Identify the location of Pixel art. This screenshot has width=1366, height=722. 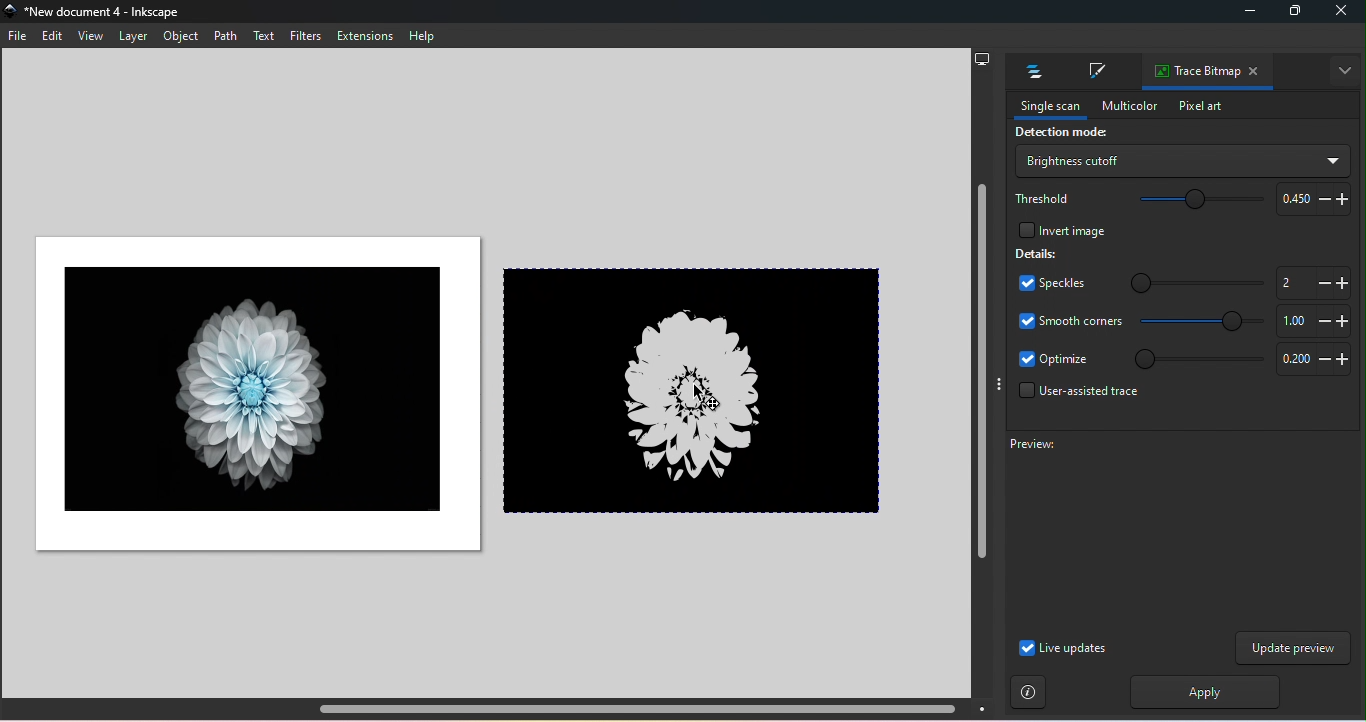
(1200, 107).